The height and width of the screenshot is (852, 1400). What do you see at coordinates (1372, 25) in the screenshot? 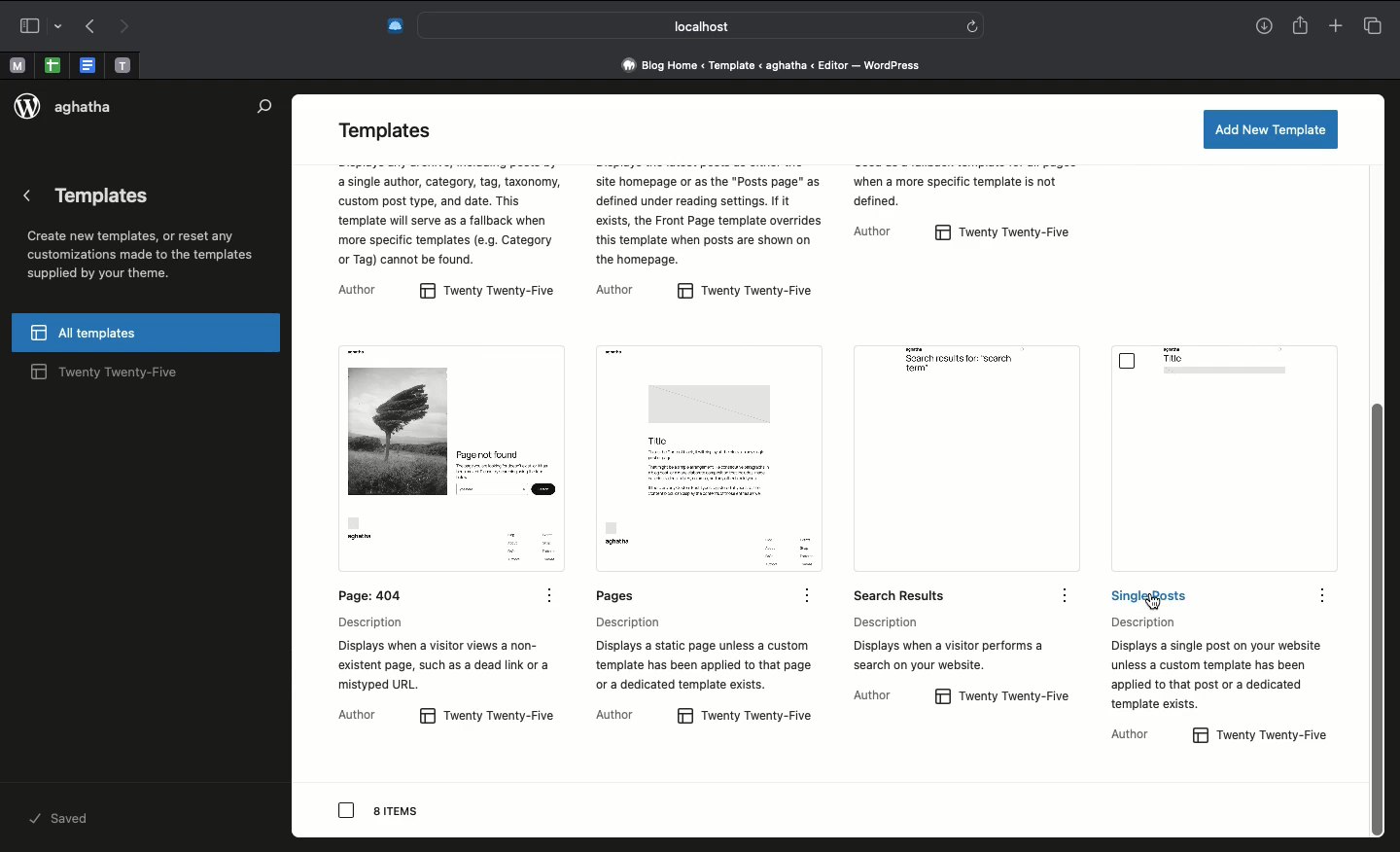
I see `Tabs` at bounding box center [1372, 25].